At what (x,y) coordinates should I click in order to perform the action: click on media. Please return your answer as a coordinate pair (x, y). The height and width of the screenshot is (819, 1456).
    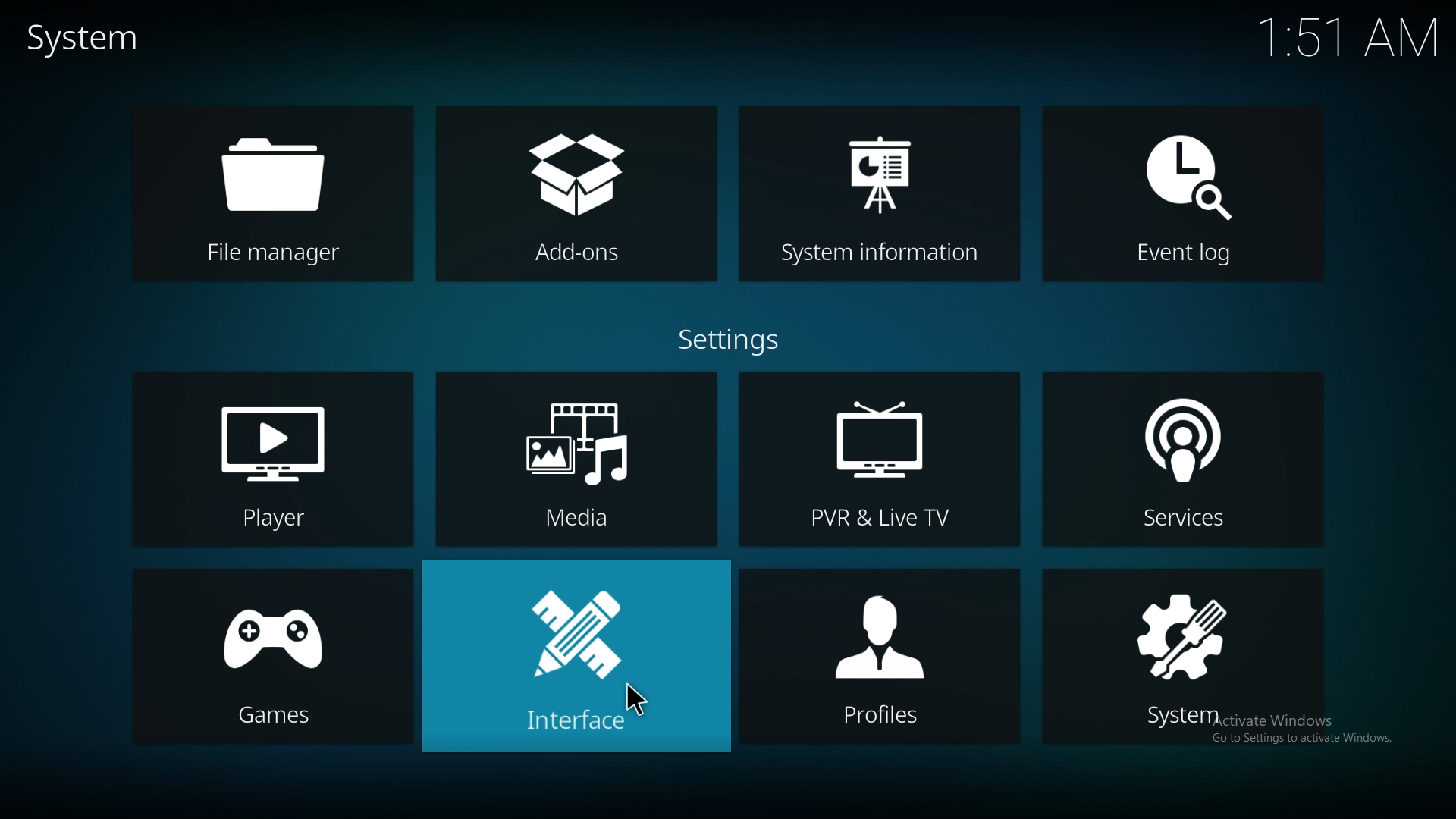
    Looking at the image, I should click on (578, 461).